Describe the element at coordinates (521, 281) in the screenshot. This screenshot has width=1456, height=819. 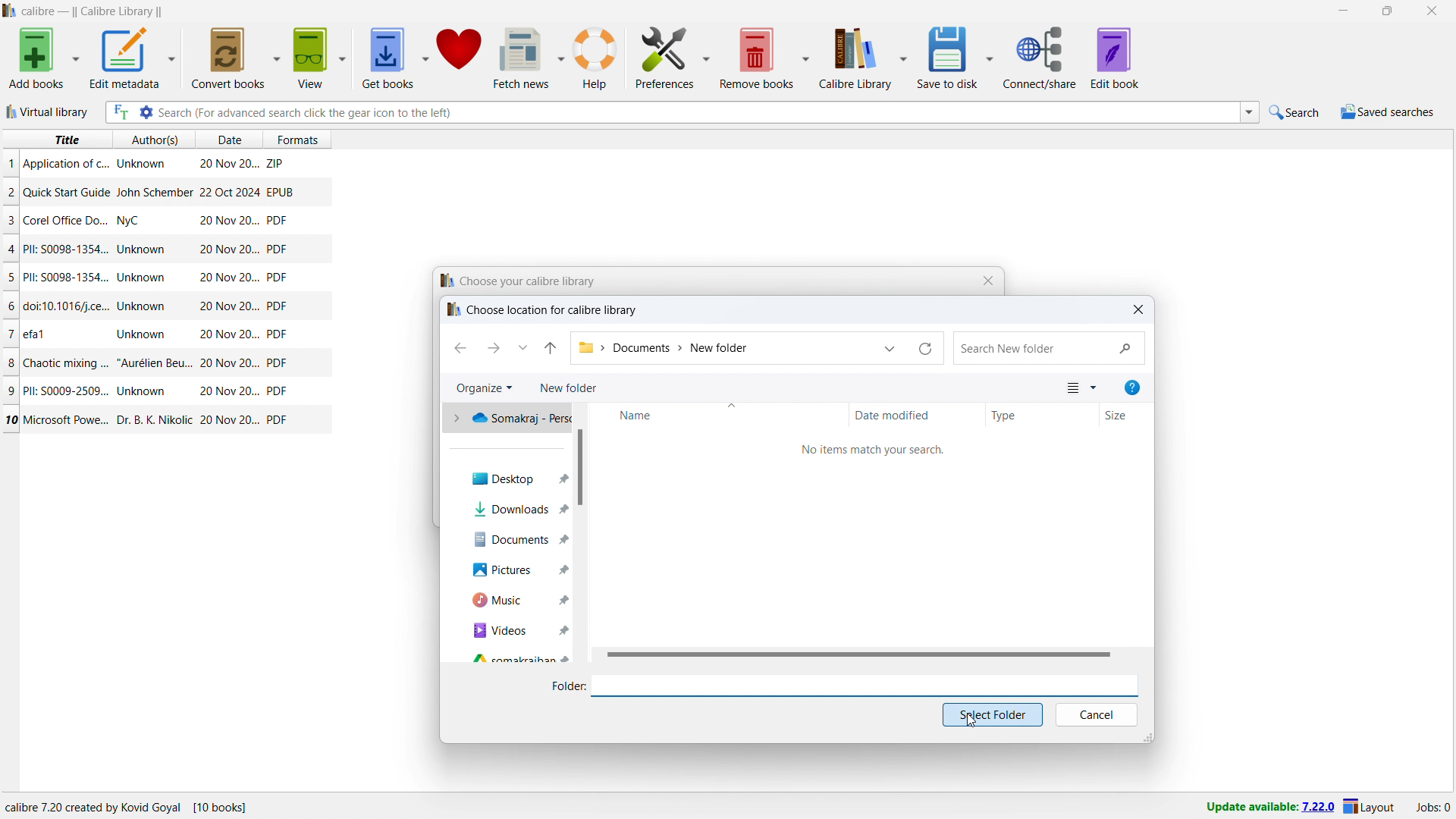
I see `Choose your library ` at that location.